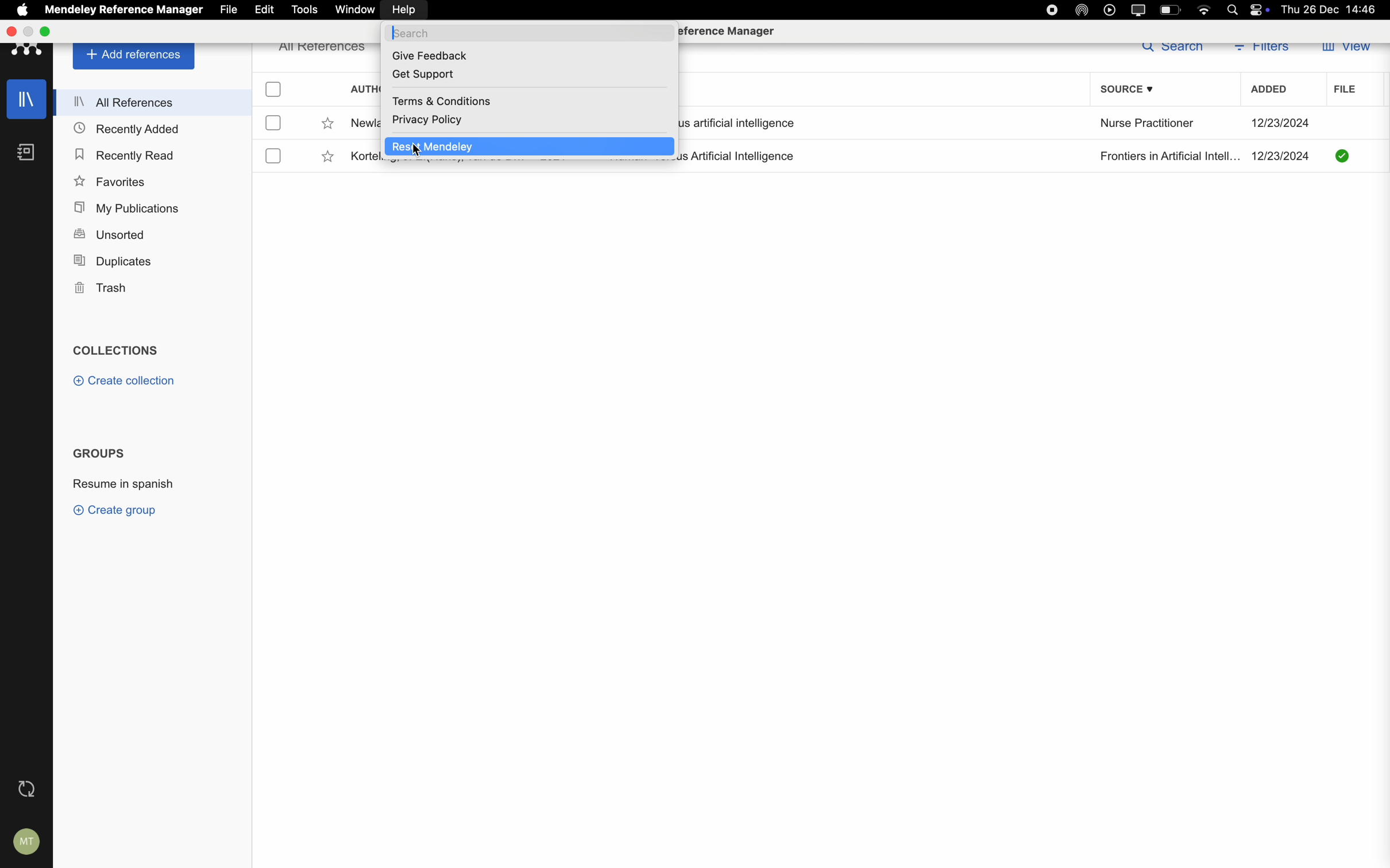 This screenshot has height=868, width=1390. What do you see at coordinates (1135, 10) in the screenshot?
I see `screen` at bounding box center [1135, 10].